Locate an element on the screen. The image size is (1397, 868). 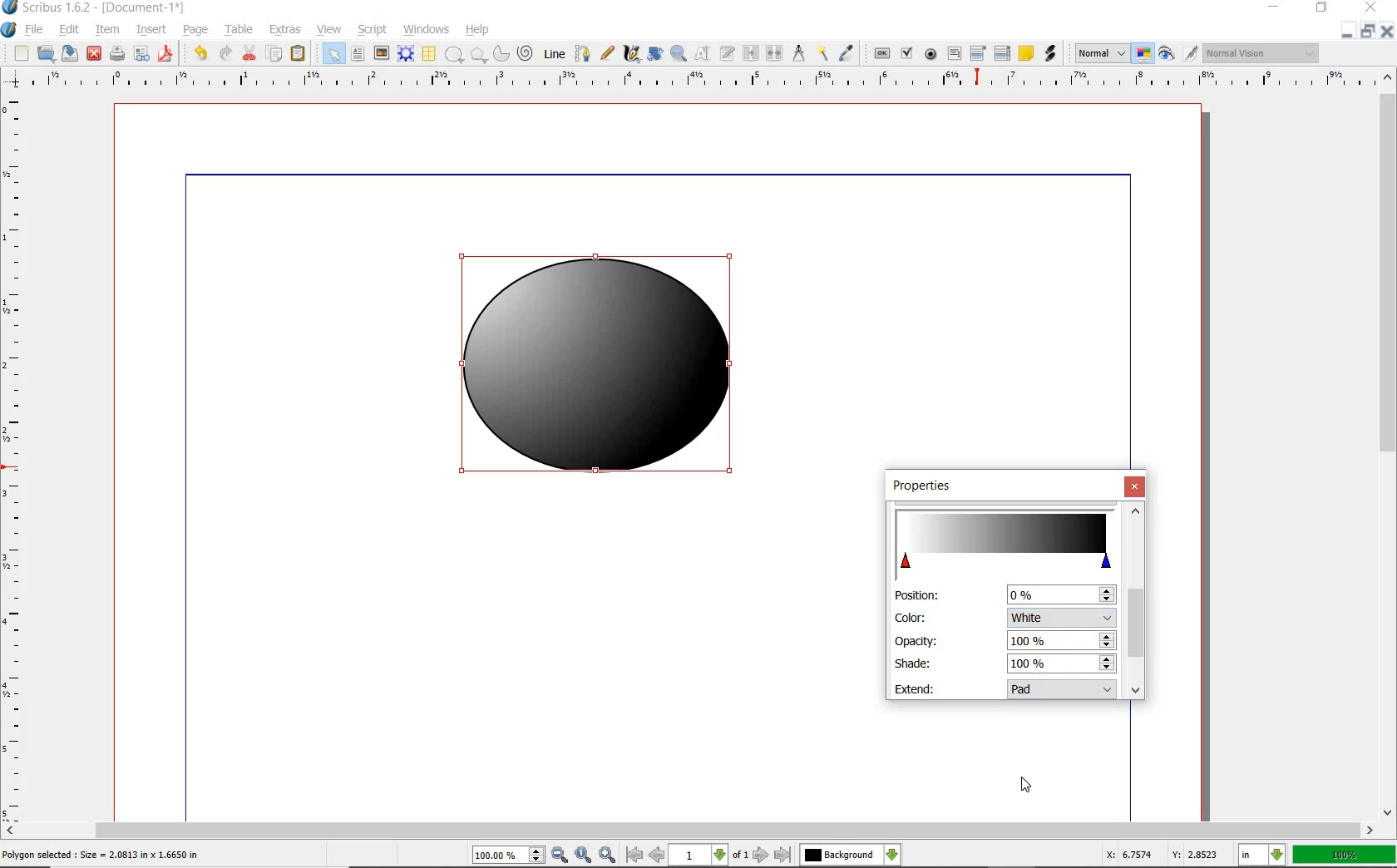
CUT is located at coordinates (250, 52).